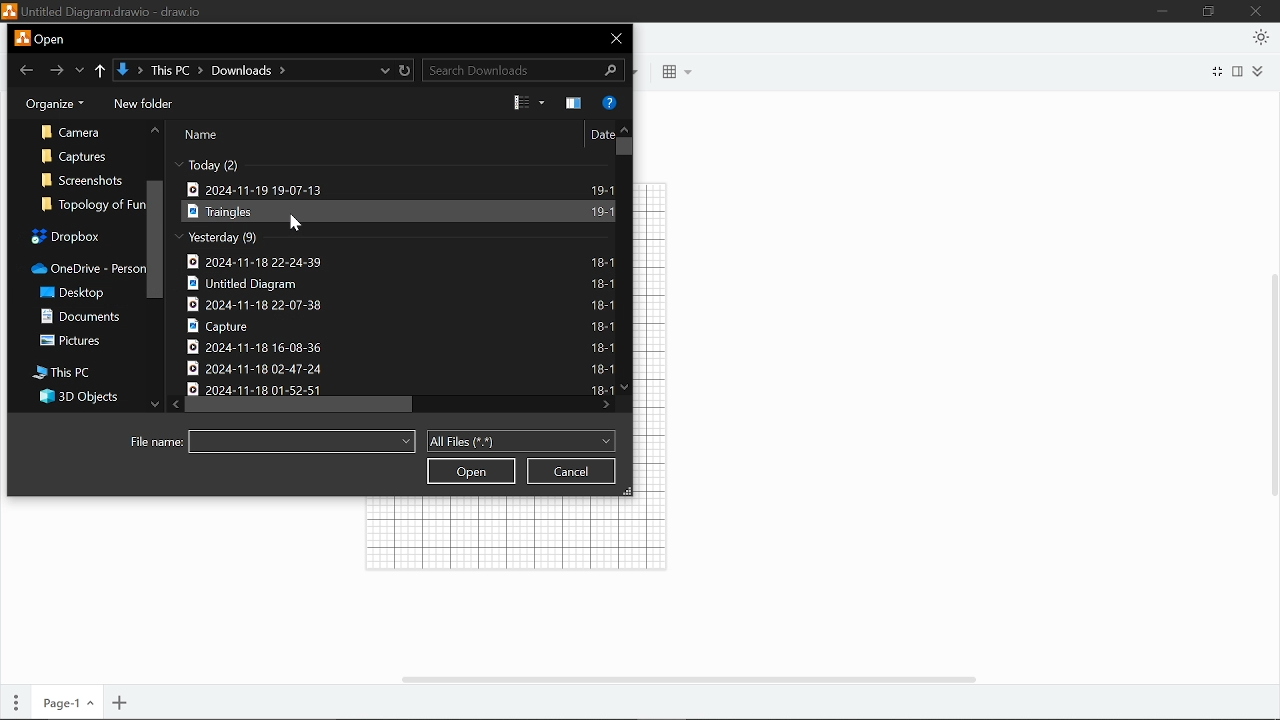 Image resolution: width=1280 pixels, height=720 pixels. I want to click on drop down, so click(304, 441).